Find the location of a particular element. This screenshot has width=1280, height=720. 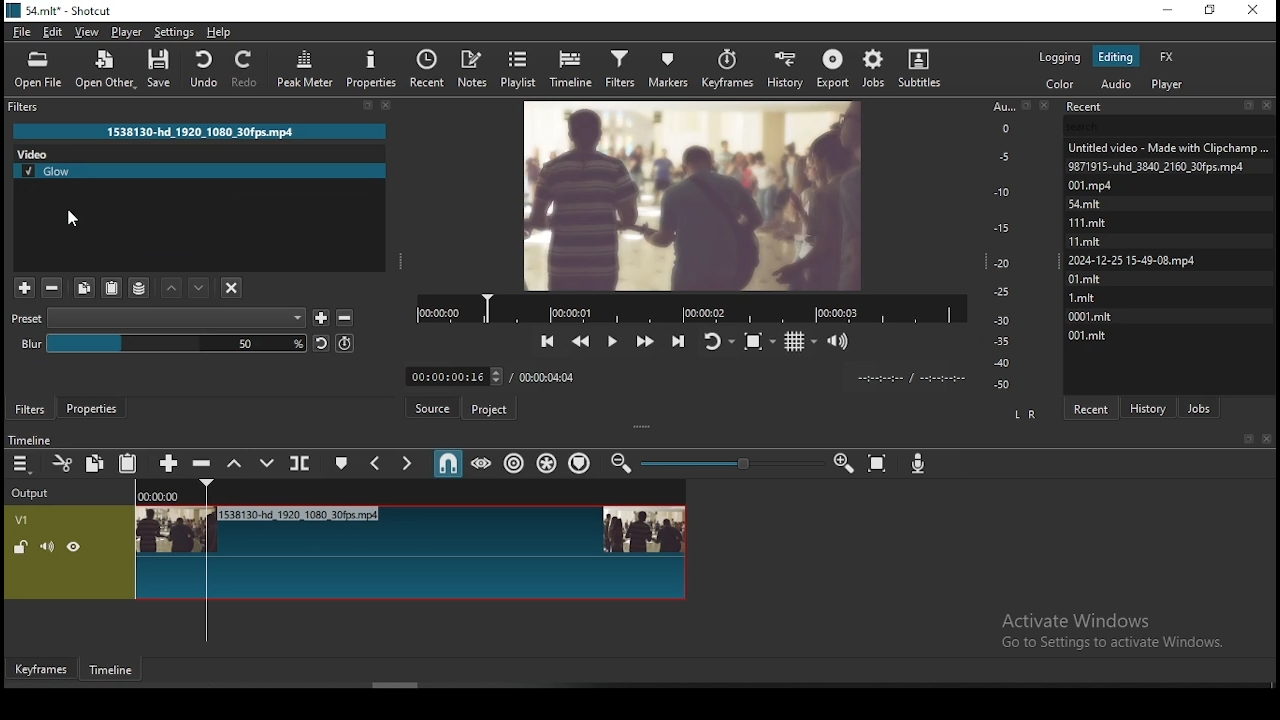

source is located at coordinates (435, 409).